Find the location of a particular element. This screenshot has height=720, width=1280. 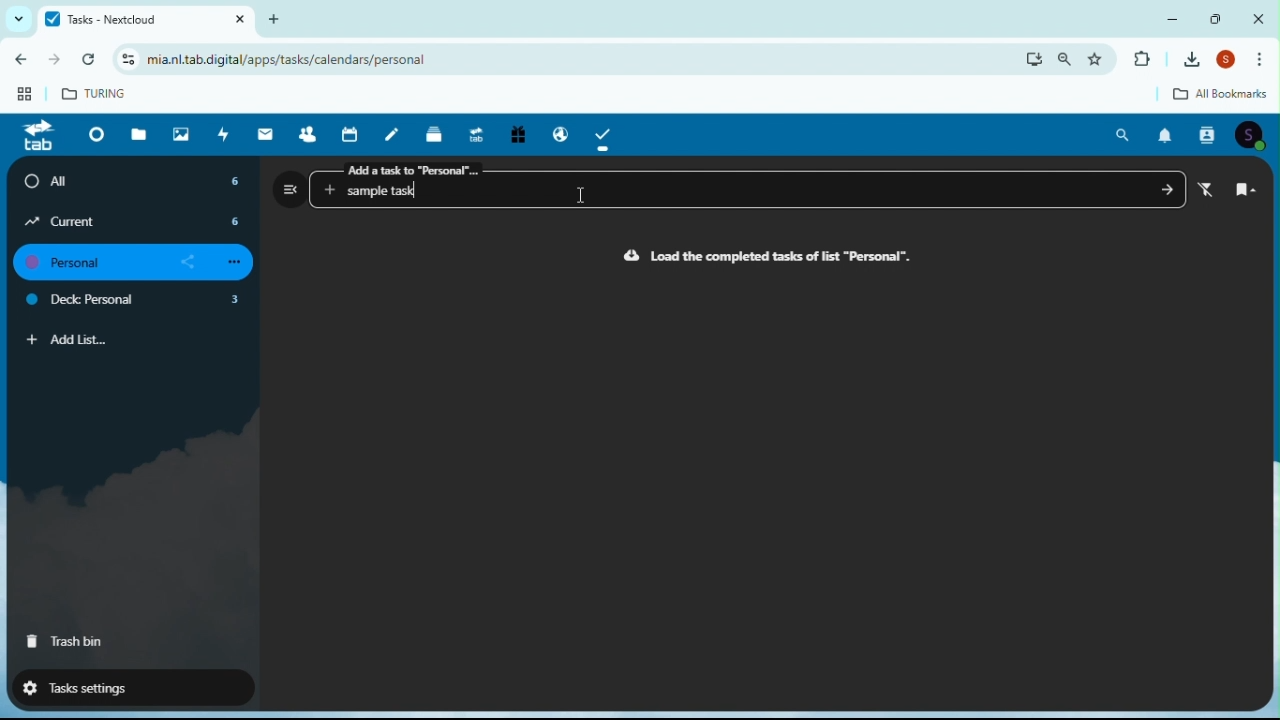

Upgrade is located at coordinates (475, 132).